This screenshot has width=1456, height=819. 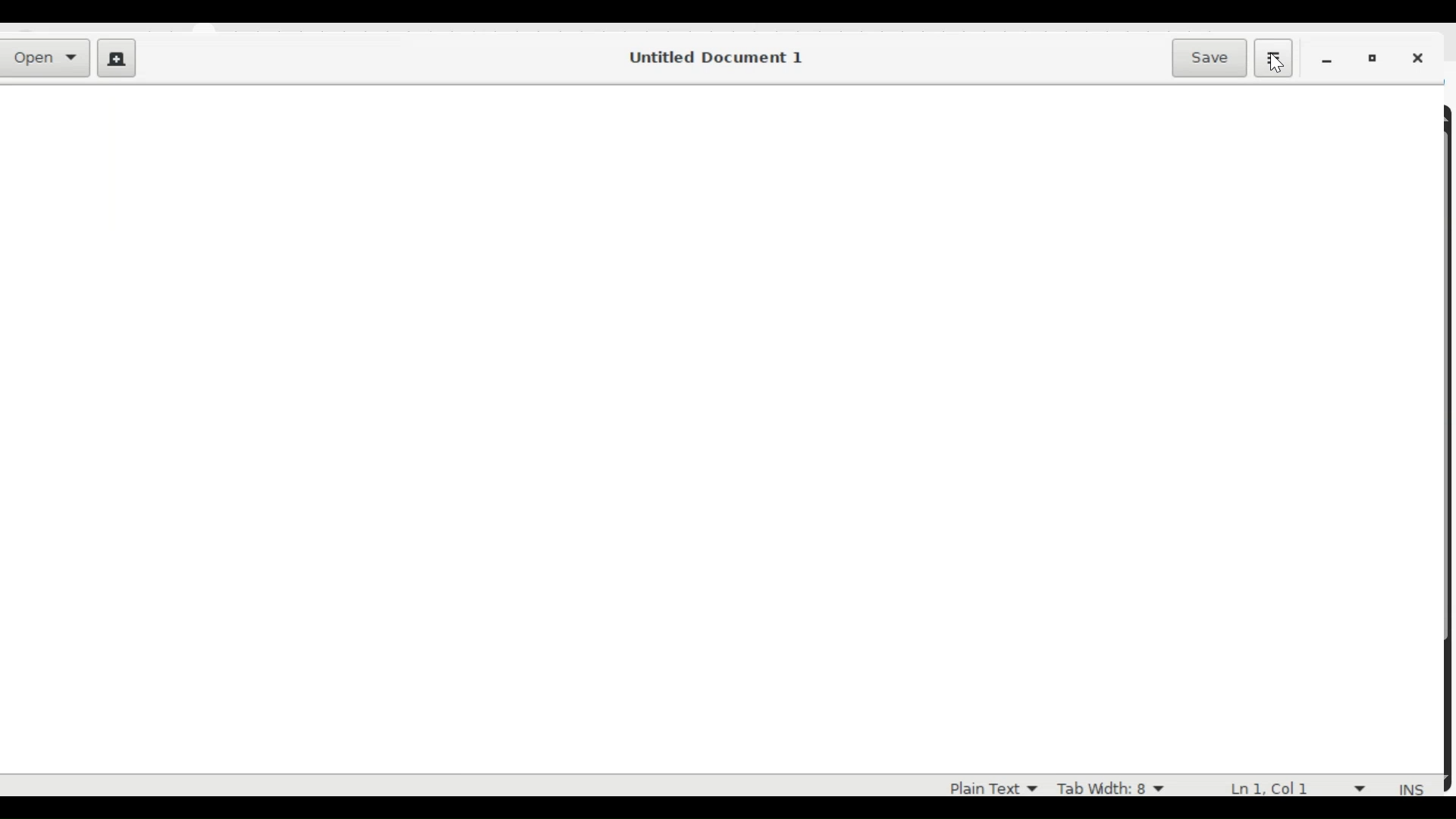 What do you see at coordinates (1330, 60) in the screenshot?
I see `minimize` at bounding box center [1330, 60].